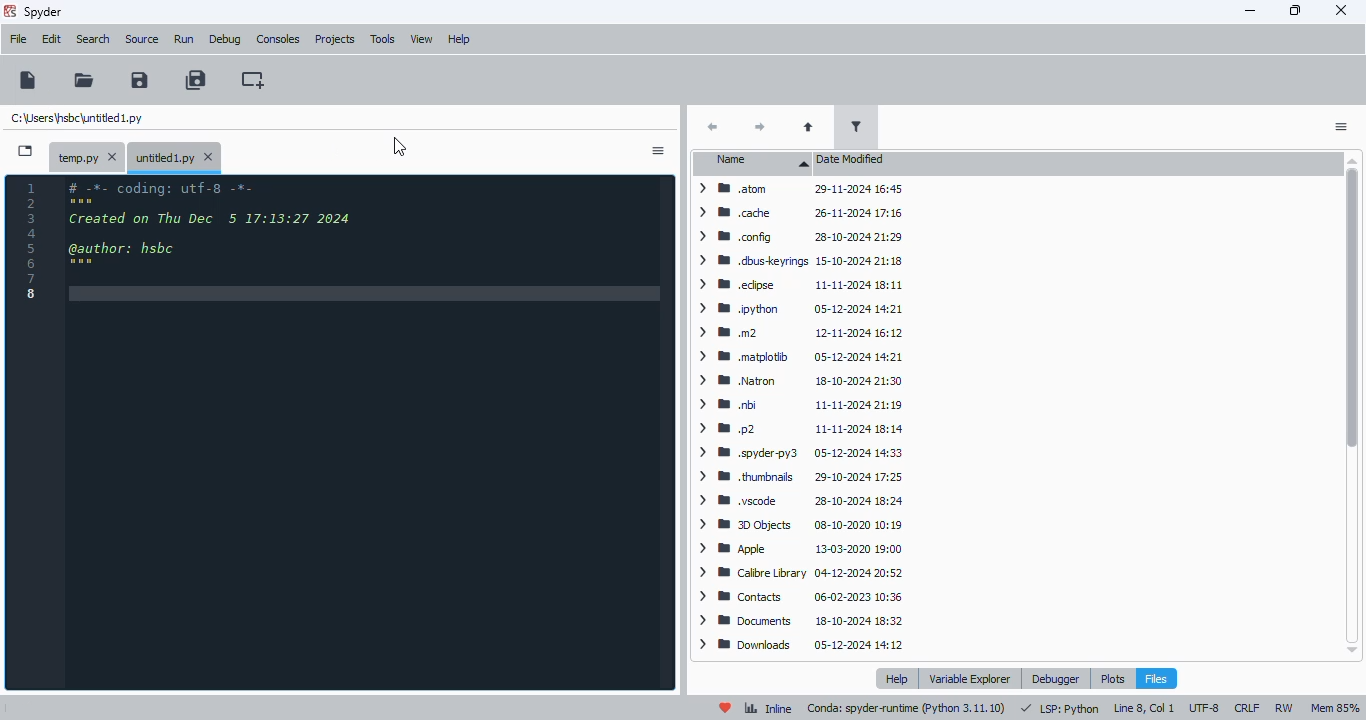  What do you see at coordinates (1334, 708) in the screenshot?
I see `mem 855` at bounding box center [1334, 708].